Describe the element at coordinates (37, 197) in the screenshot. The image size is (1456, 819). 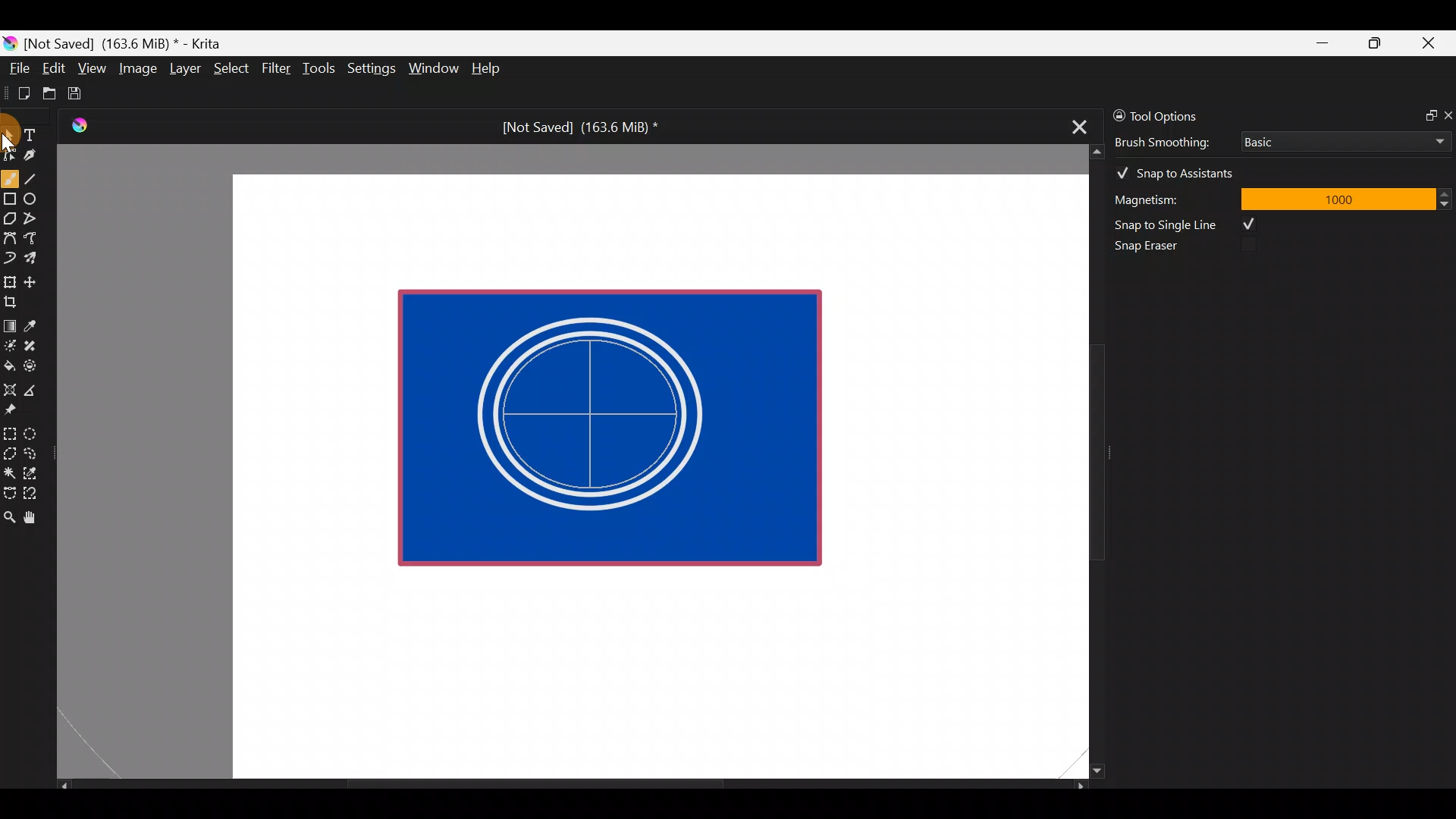
I see `Ellipse tool` at that location.